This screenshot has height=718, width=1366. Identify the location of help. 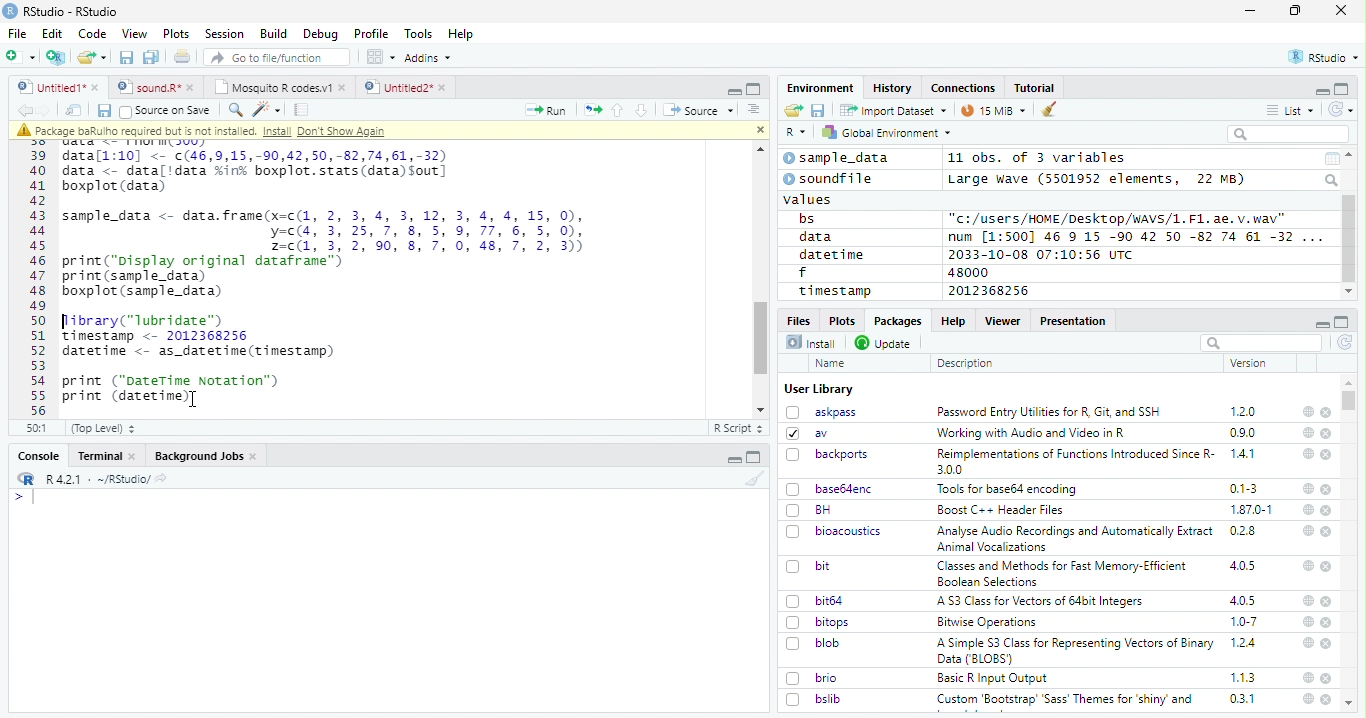
(1306, 530).